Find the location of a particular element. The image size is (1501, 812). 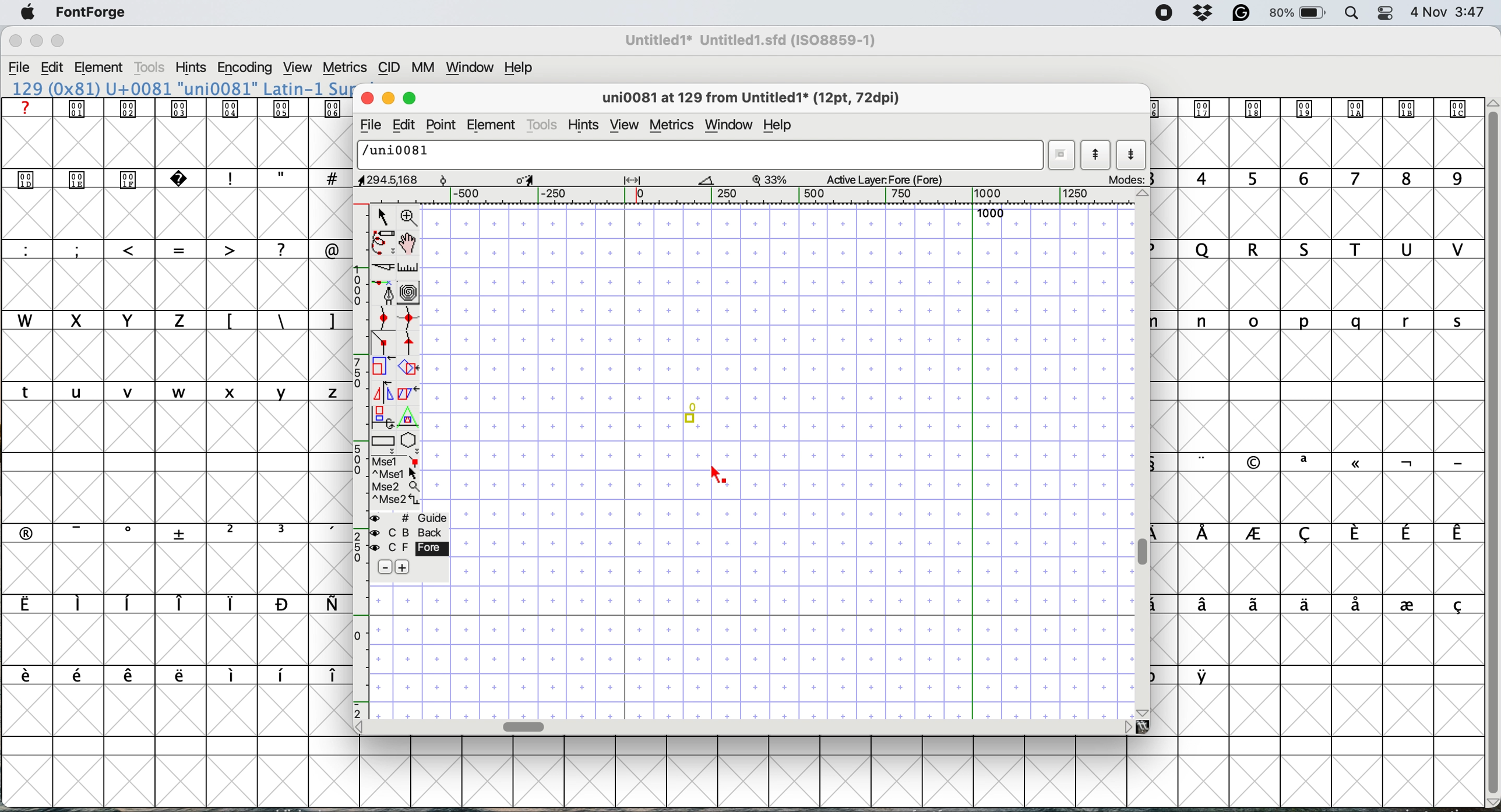

Spotlight Search is located at coordinates (1352, 14).